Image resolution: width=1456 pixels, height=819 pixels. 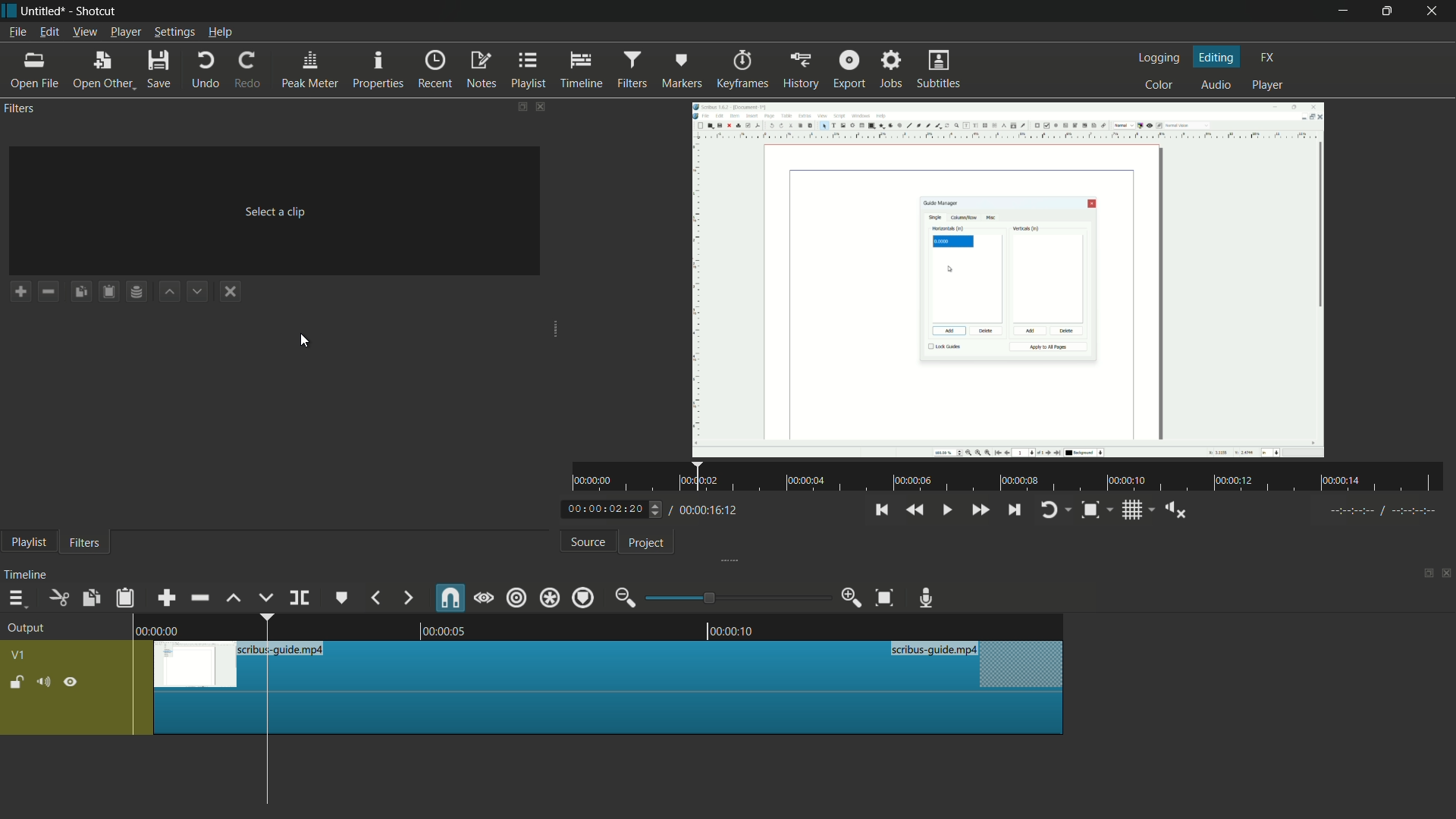 I want to click on overwrite, so click(x=263, y=598).